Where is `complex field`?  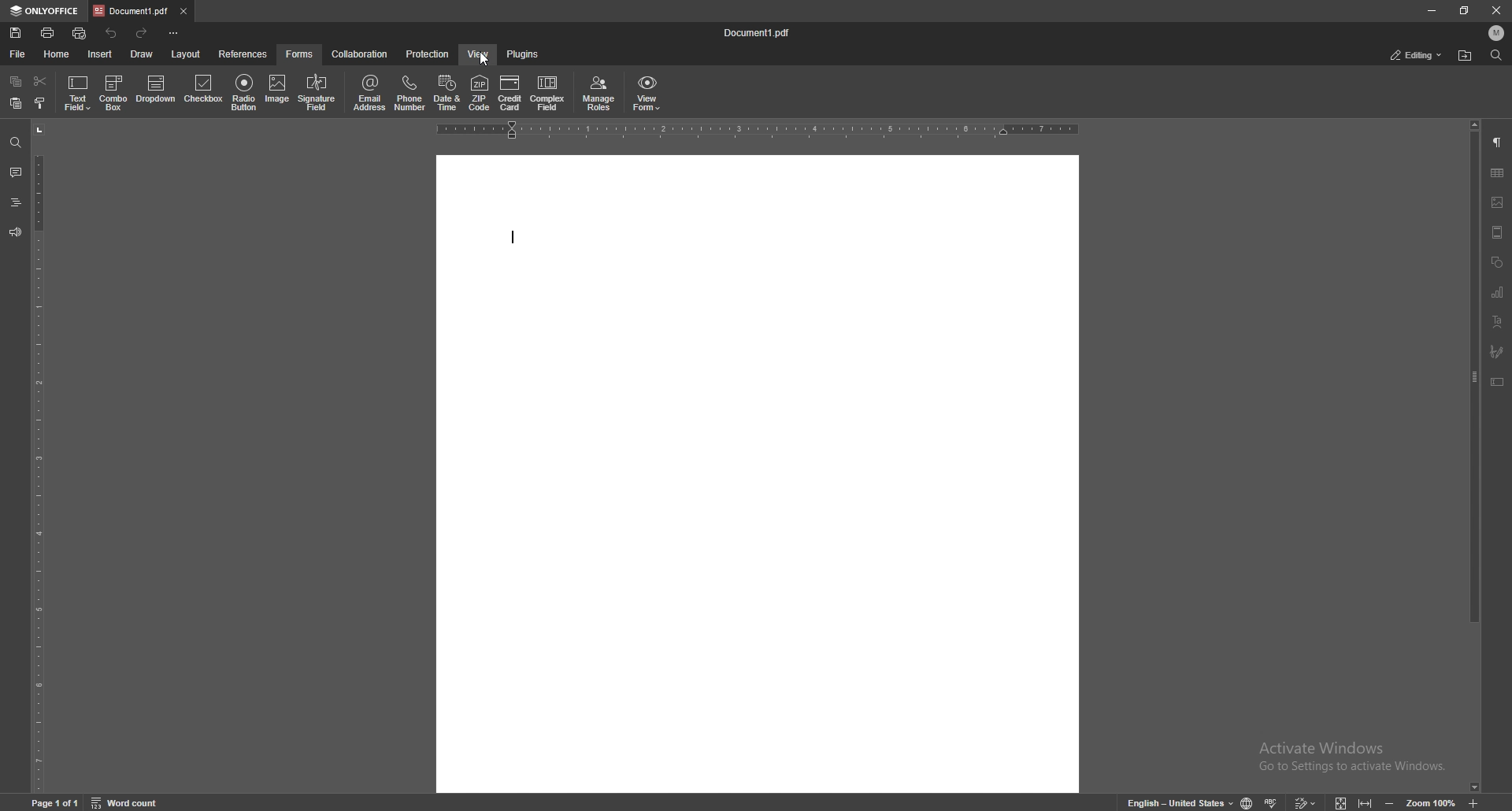
complex field is located at coordinates (550, 95).